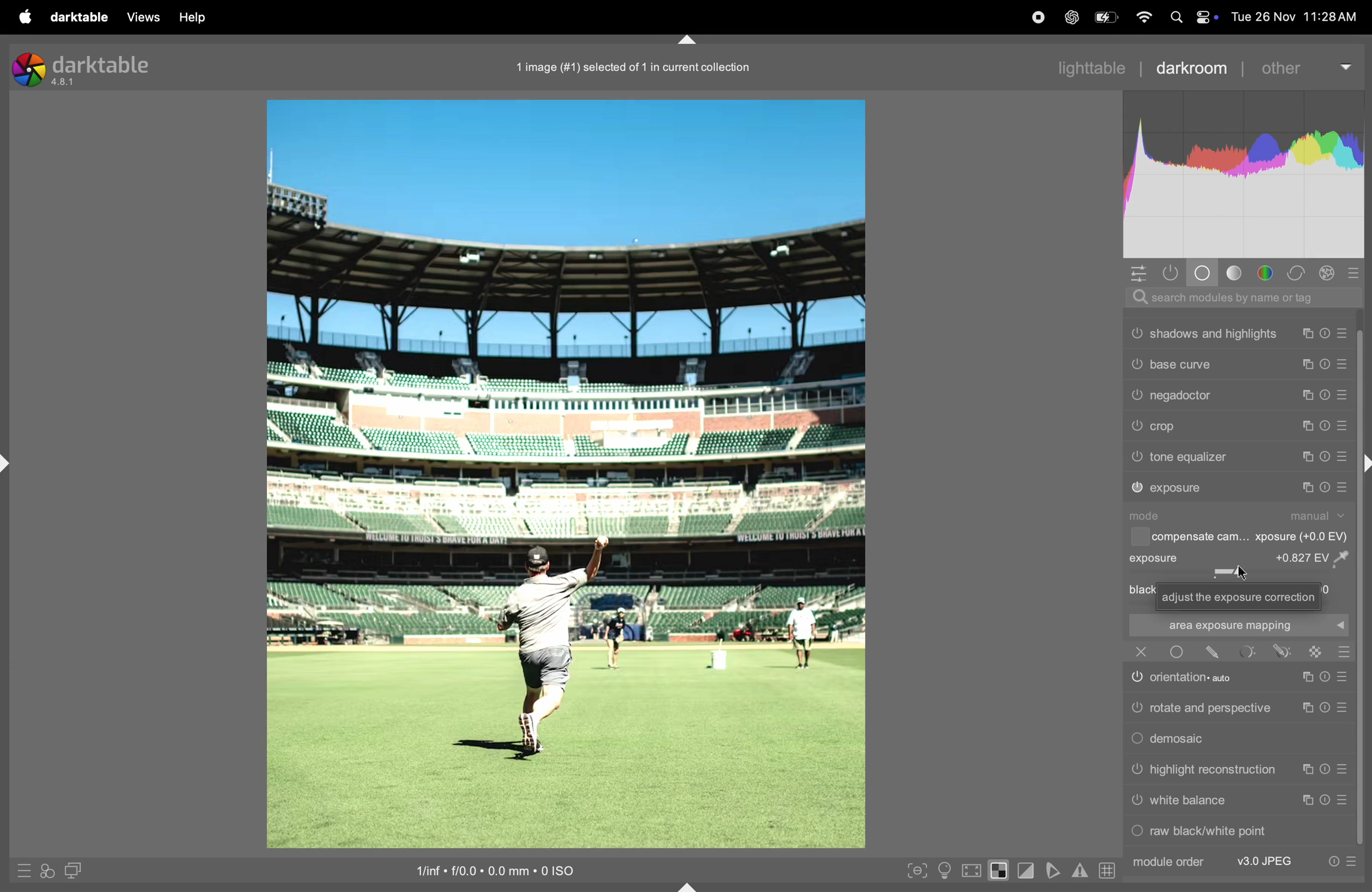 The width and height of the screenshot is (1372, 892). Describe the element at coordinates (28, 70) in the screenshot. I see `logo` at that location.